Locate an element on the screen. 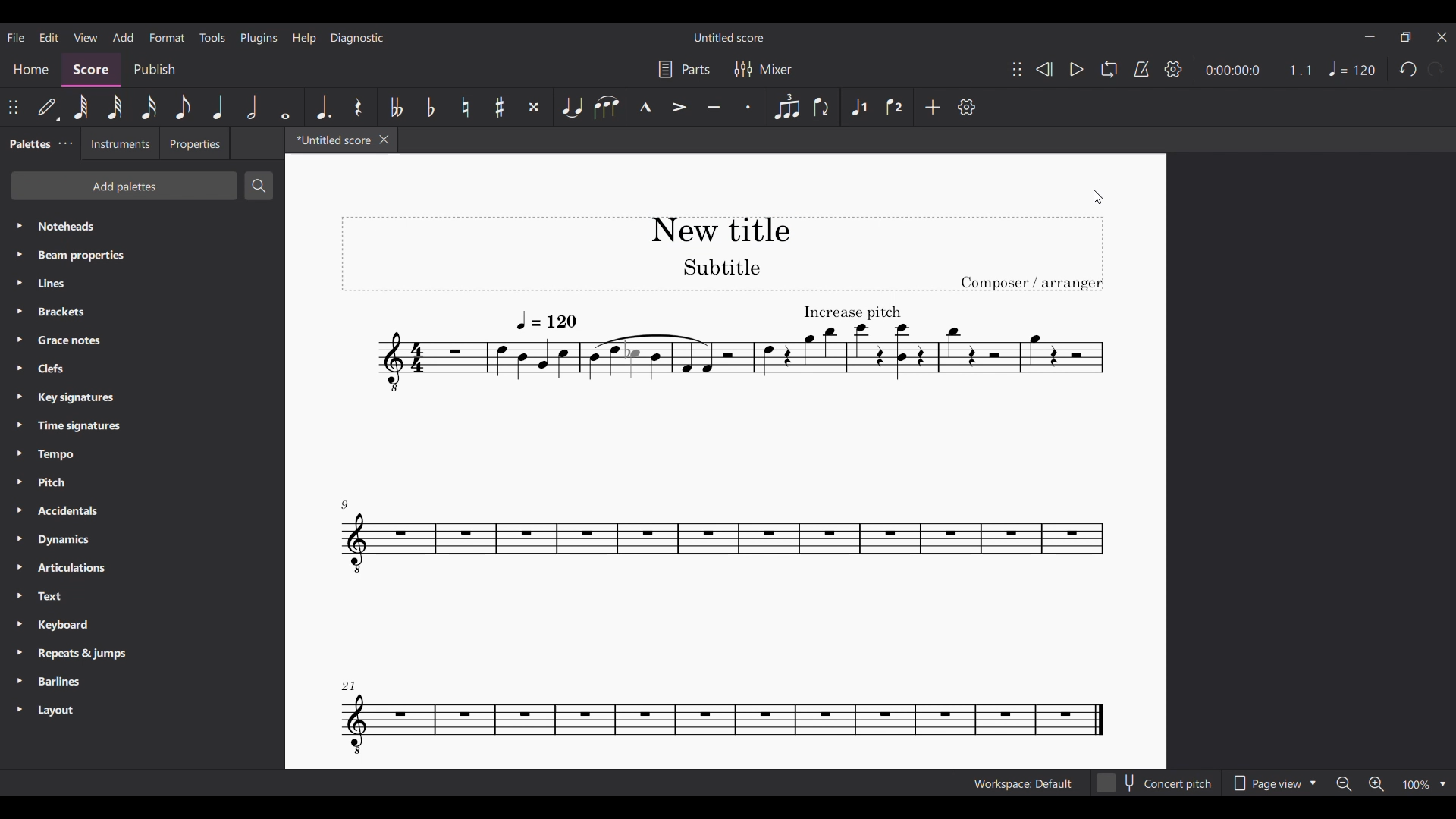 The image size is (1456, 819). Toggle double flat is located at coordinates (394, 106).